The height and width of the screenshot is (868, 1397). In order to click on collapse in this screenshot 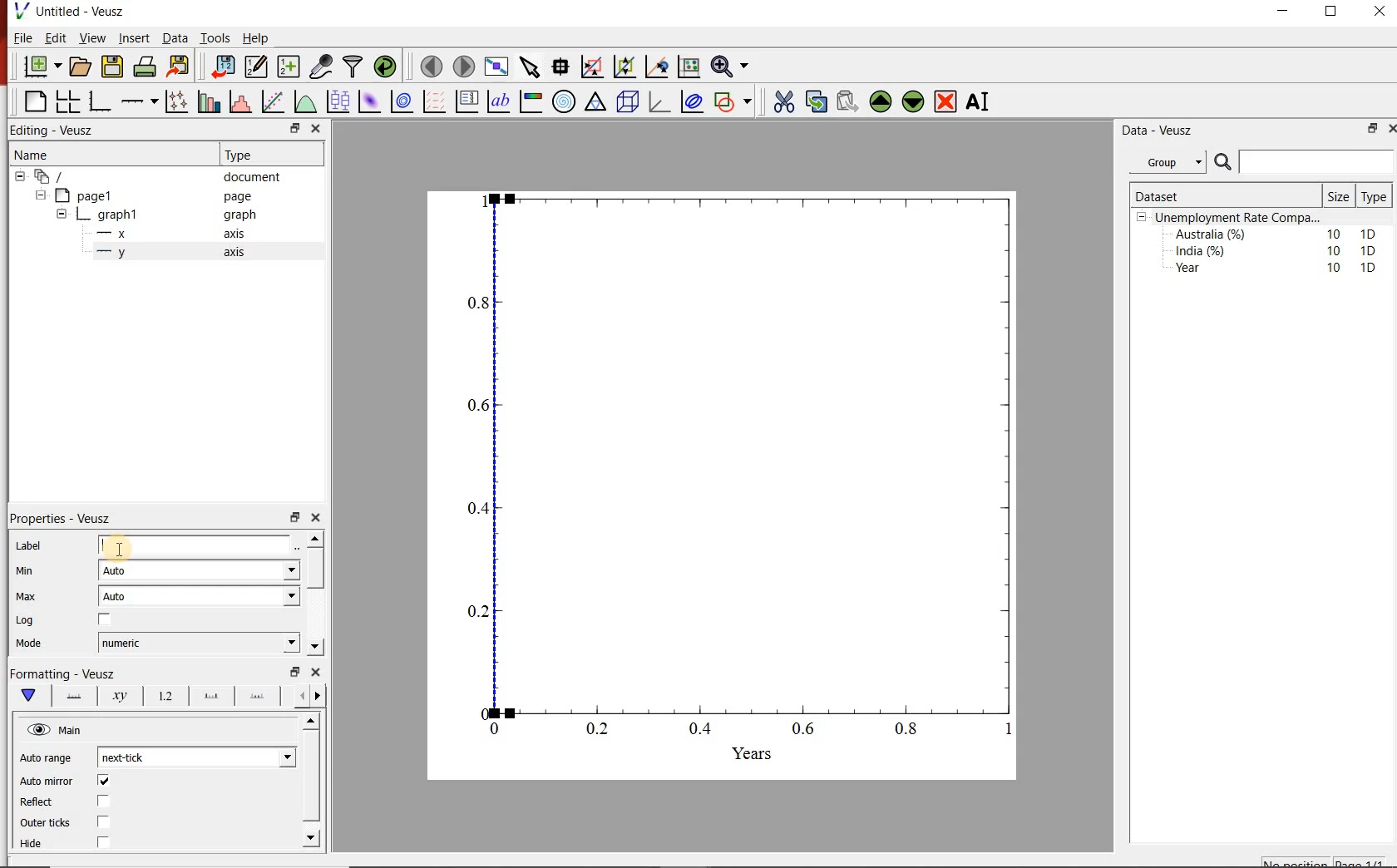, I will do `click(19, 176)`.